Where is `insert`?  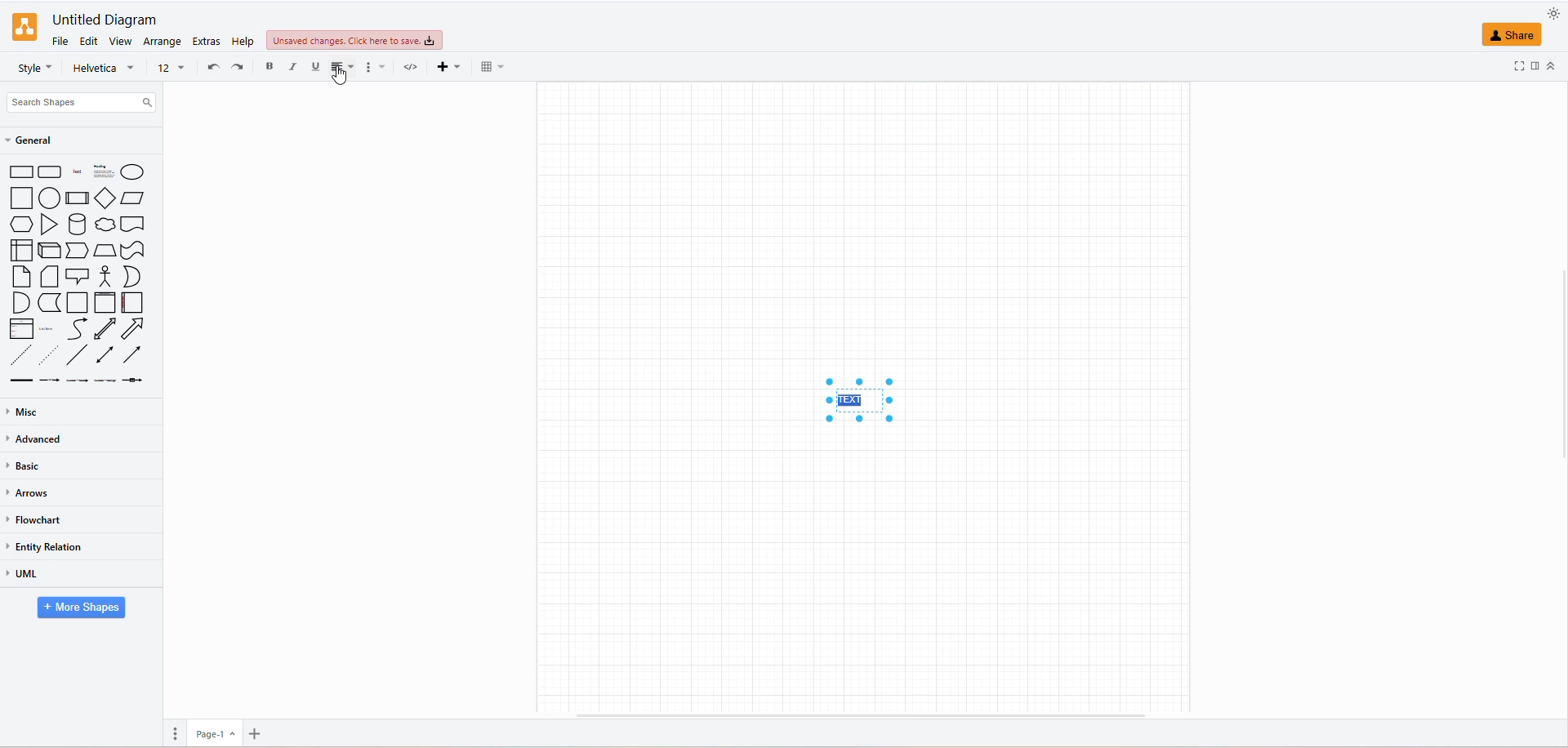
insert is located at coordinates (444, 65).